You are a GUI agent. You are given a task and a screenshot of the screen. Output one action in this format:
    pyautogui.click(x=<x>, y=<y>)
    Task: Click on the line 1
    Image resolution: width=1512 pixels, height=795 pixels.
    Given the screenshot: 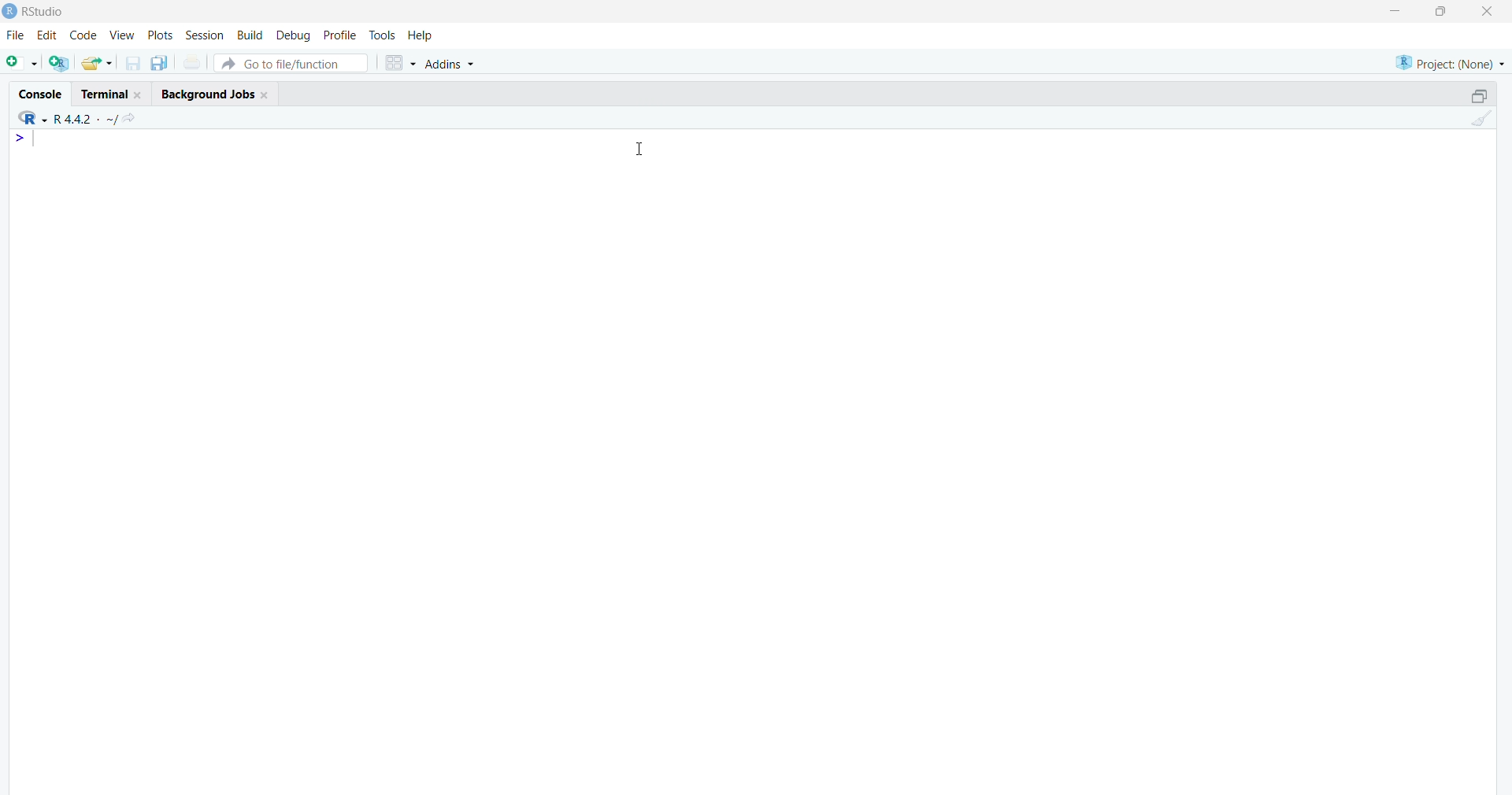 What is the action you would take?
    pyautogui.click(x=18, y=138)
    